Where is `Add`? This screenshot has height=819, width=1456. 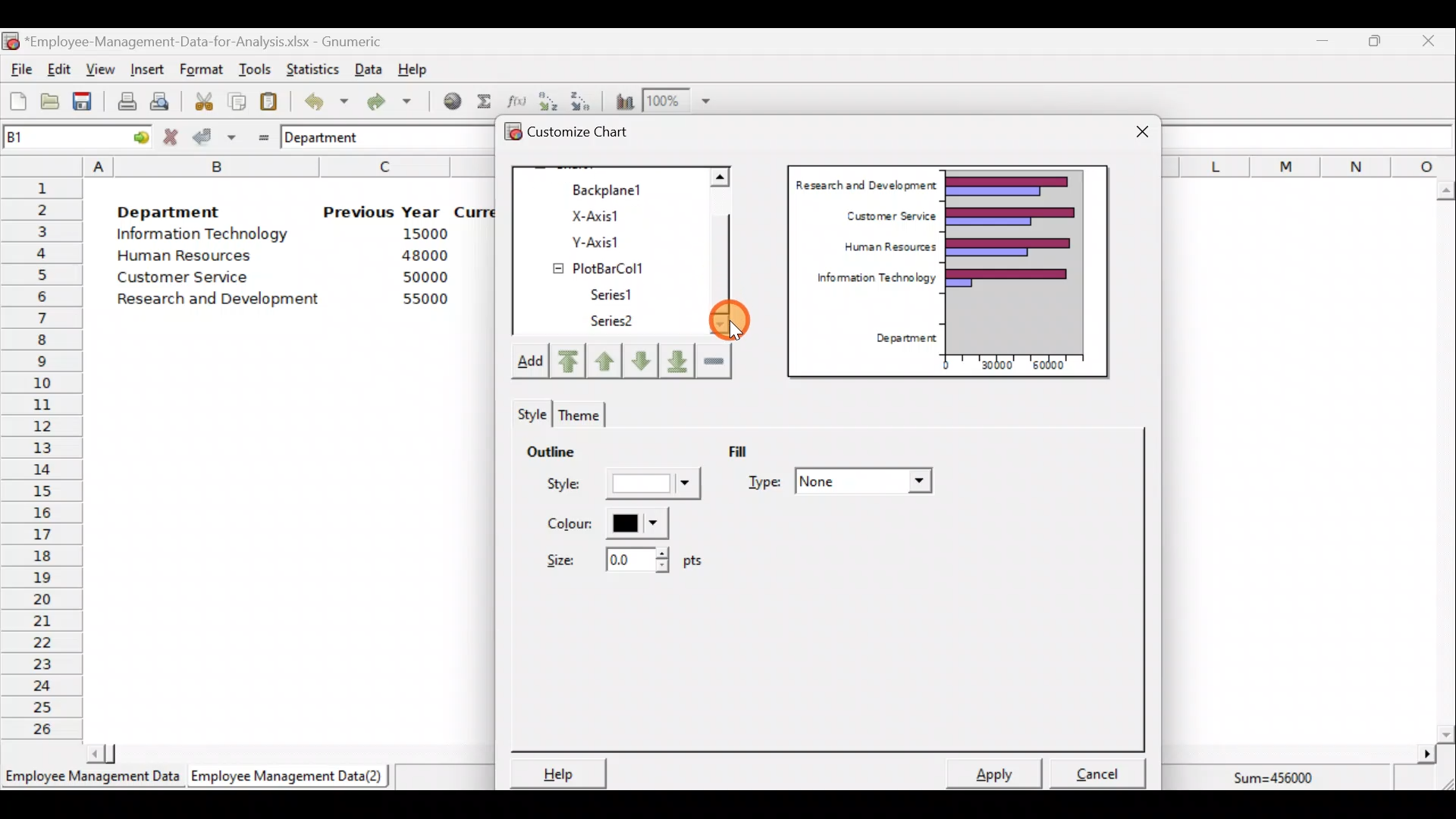 Add is located at coordinates (529, 364).